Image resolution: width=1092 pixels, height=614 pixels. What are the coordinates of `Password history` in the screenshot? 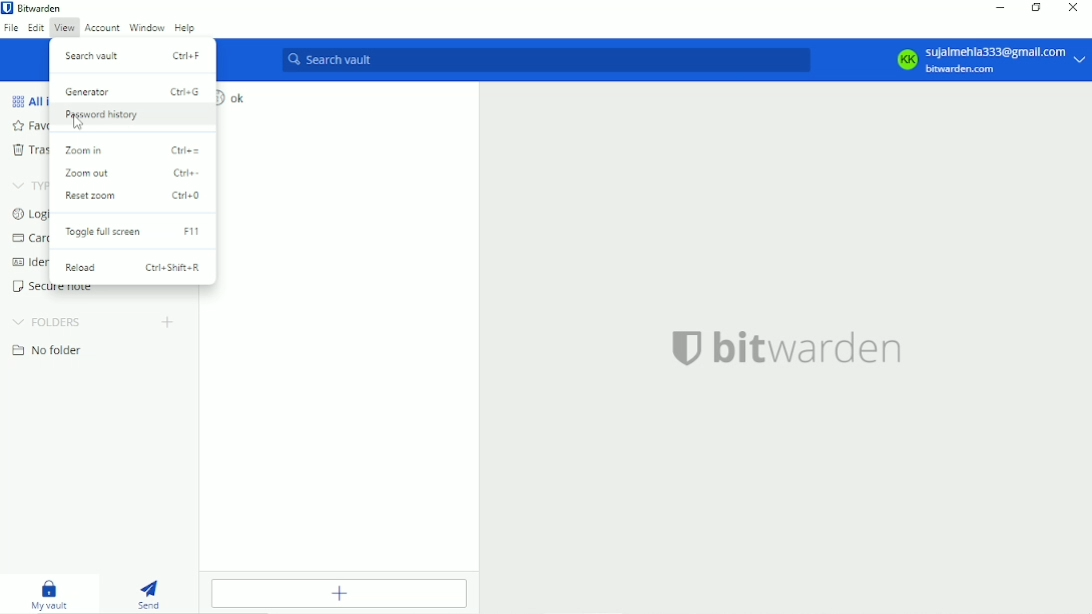 It's located at (134, 117).